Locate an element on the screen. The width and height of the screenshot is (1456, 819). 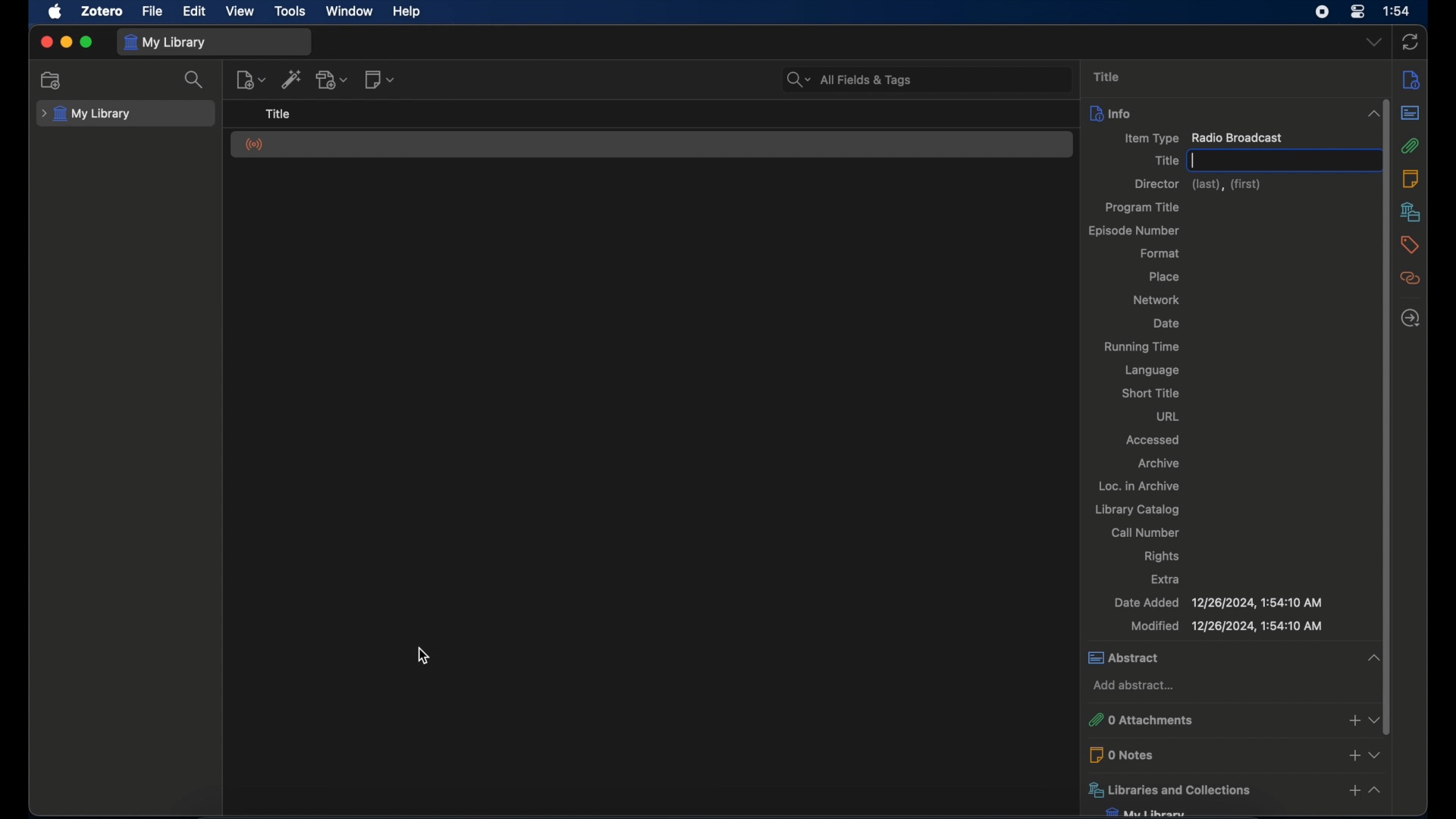
dropdown is located at coordinates (1373, 42).